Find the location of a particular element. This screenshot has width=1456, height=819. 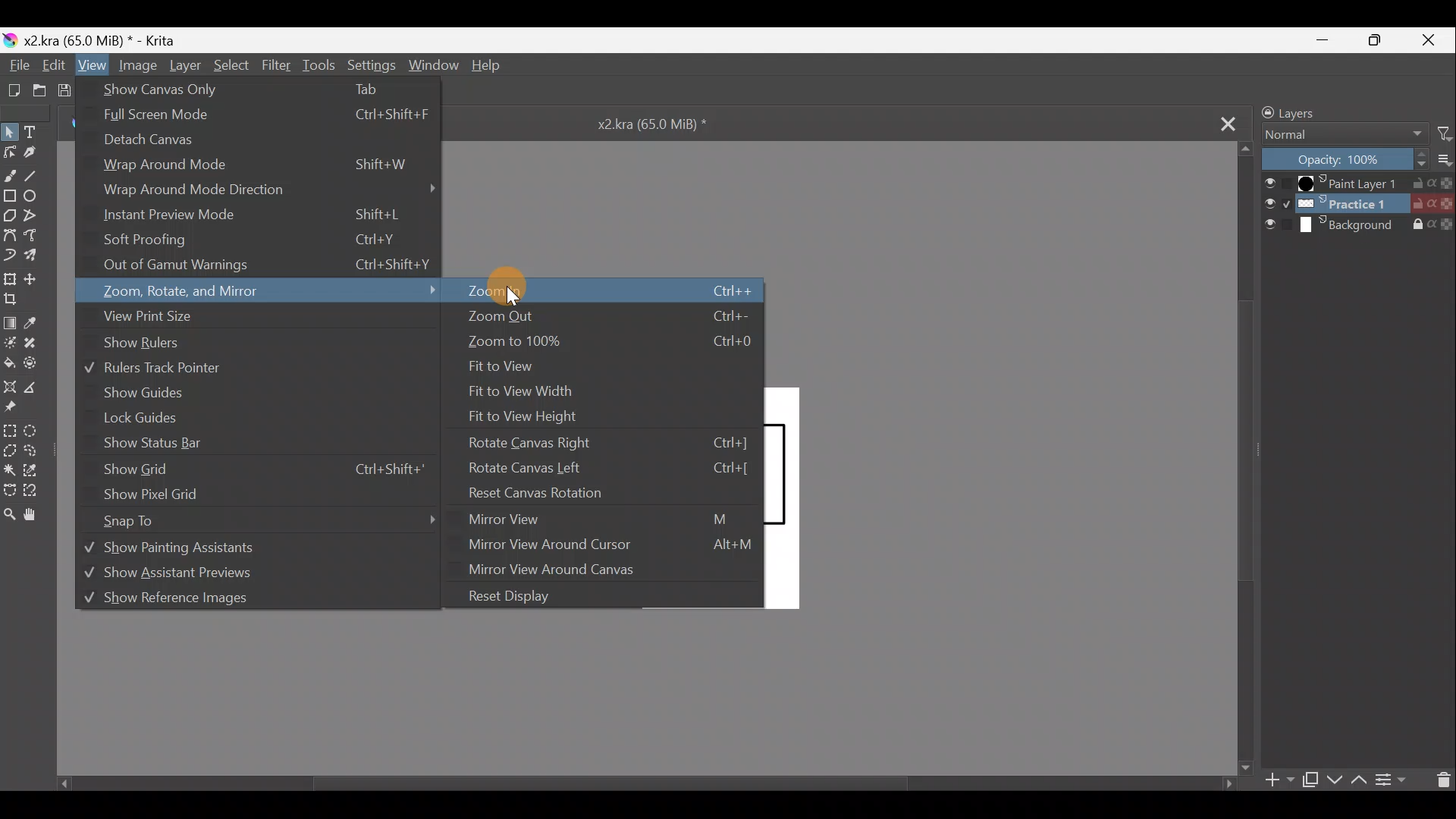

Polyline tool is located at coordinates (35, 215).